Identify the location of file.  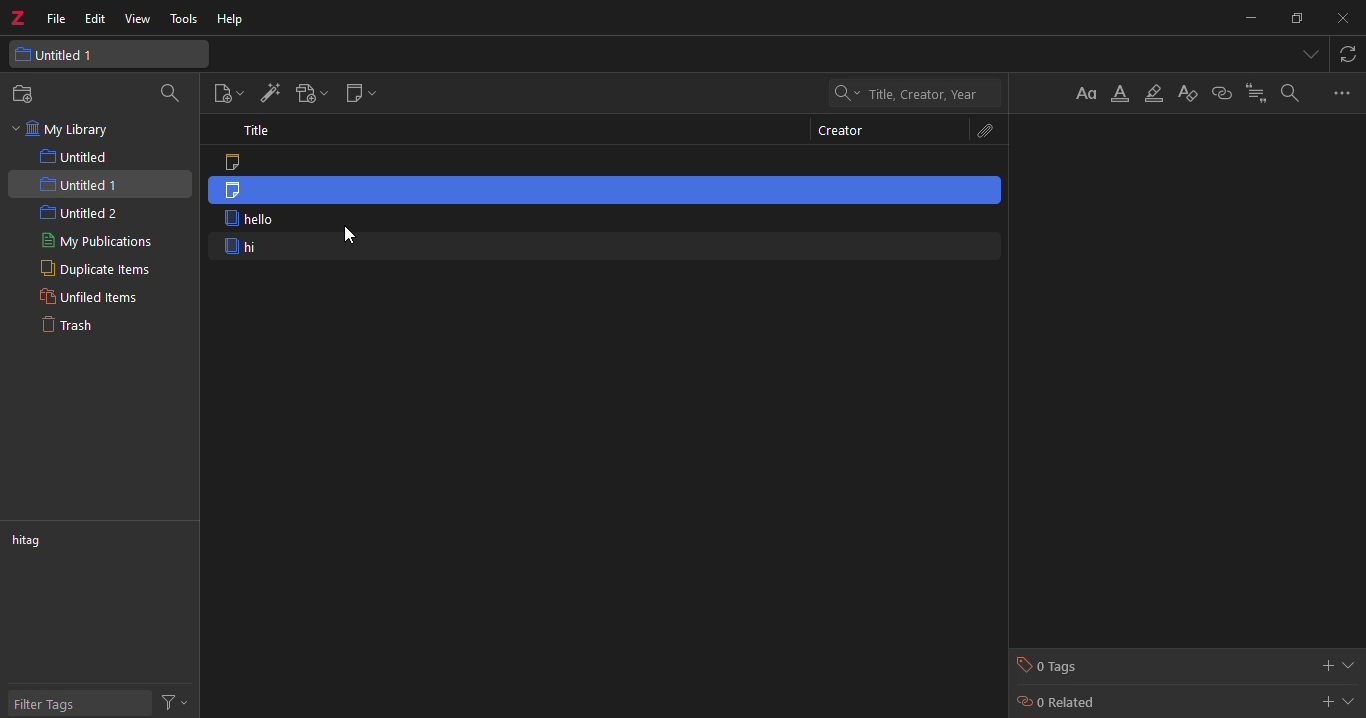
(56, 21).